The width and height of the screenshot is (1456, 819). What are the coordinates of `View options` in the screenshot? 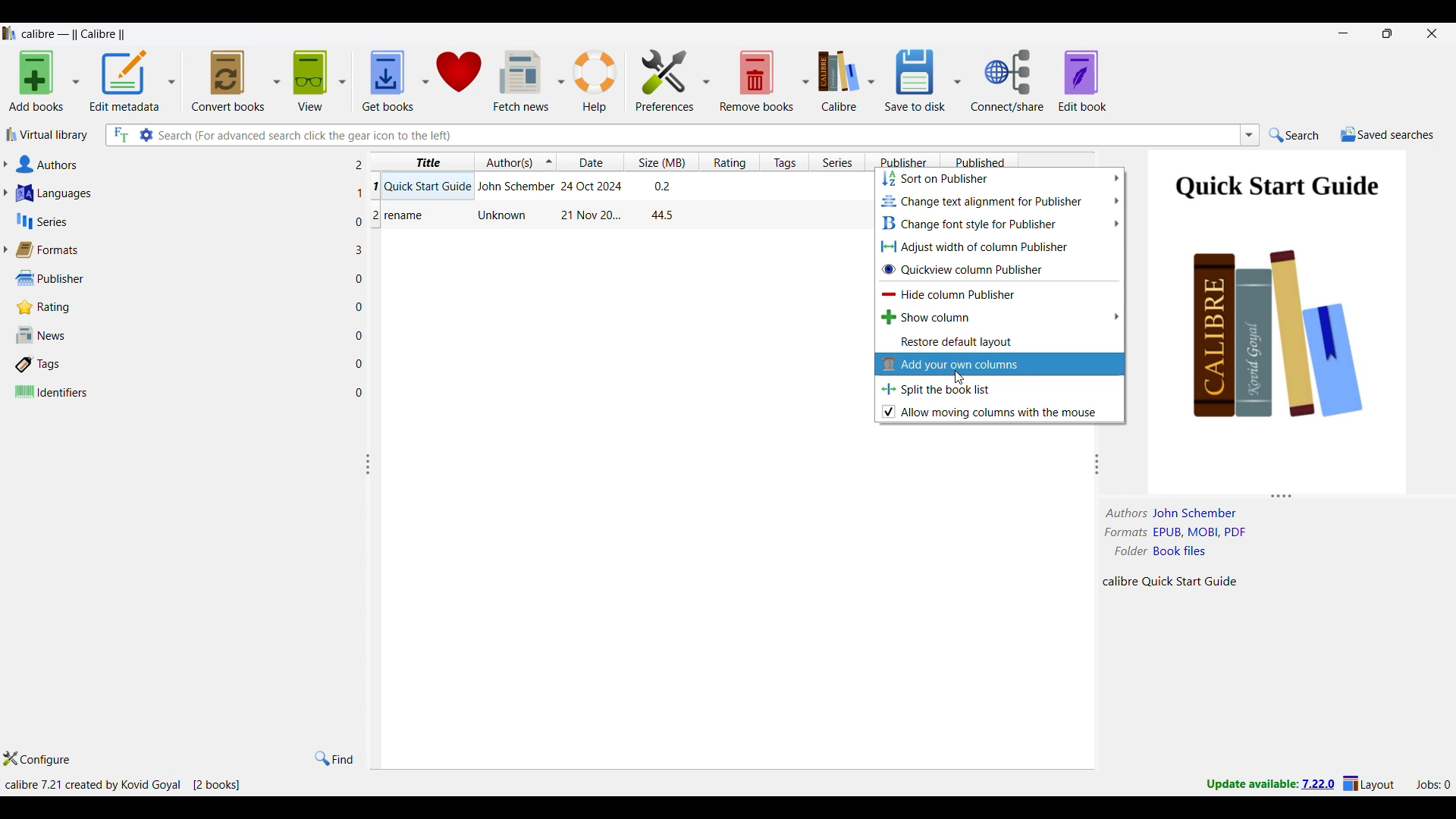 It's located at (318, 80).